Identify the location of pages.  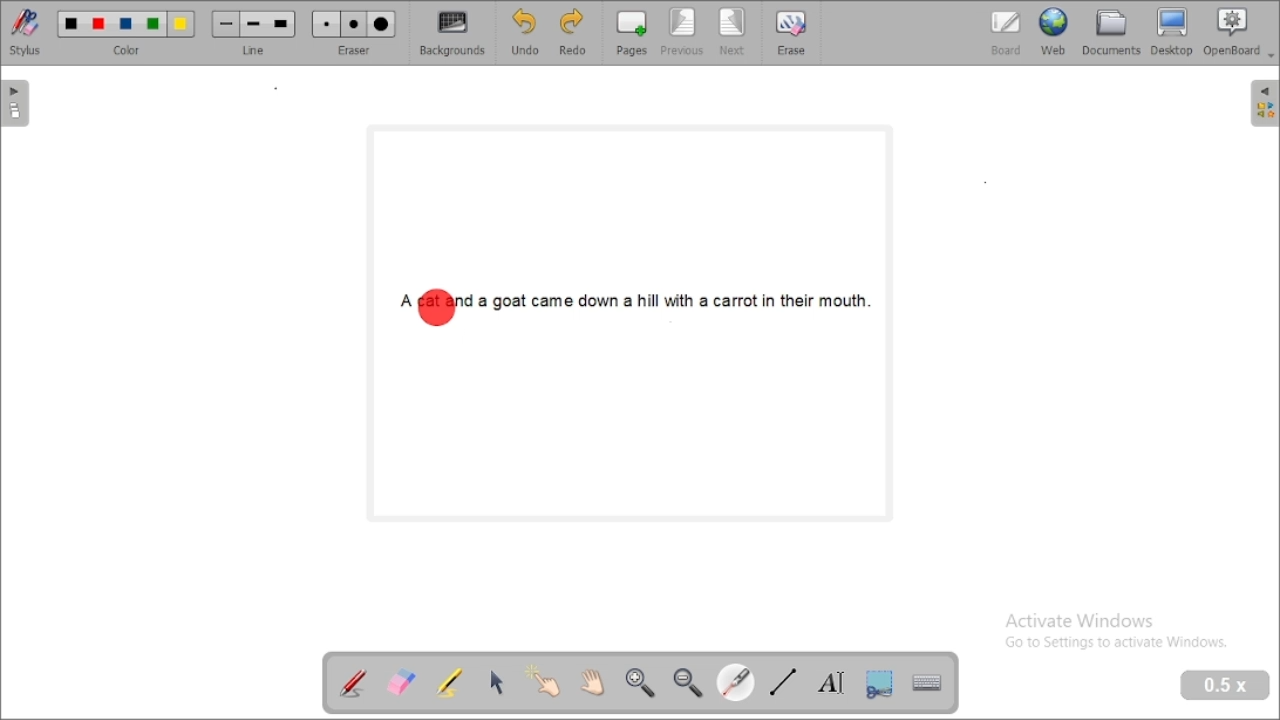
(631, 33).